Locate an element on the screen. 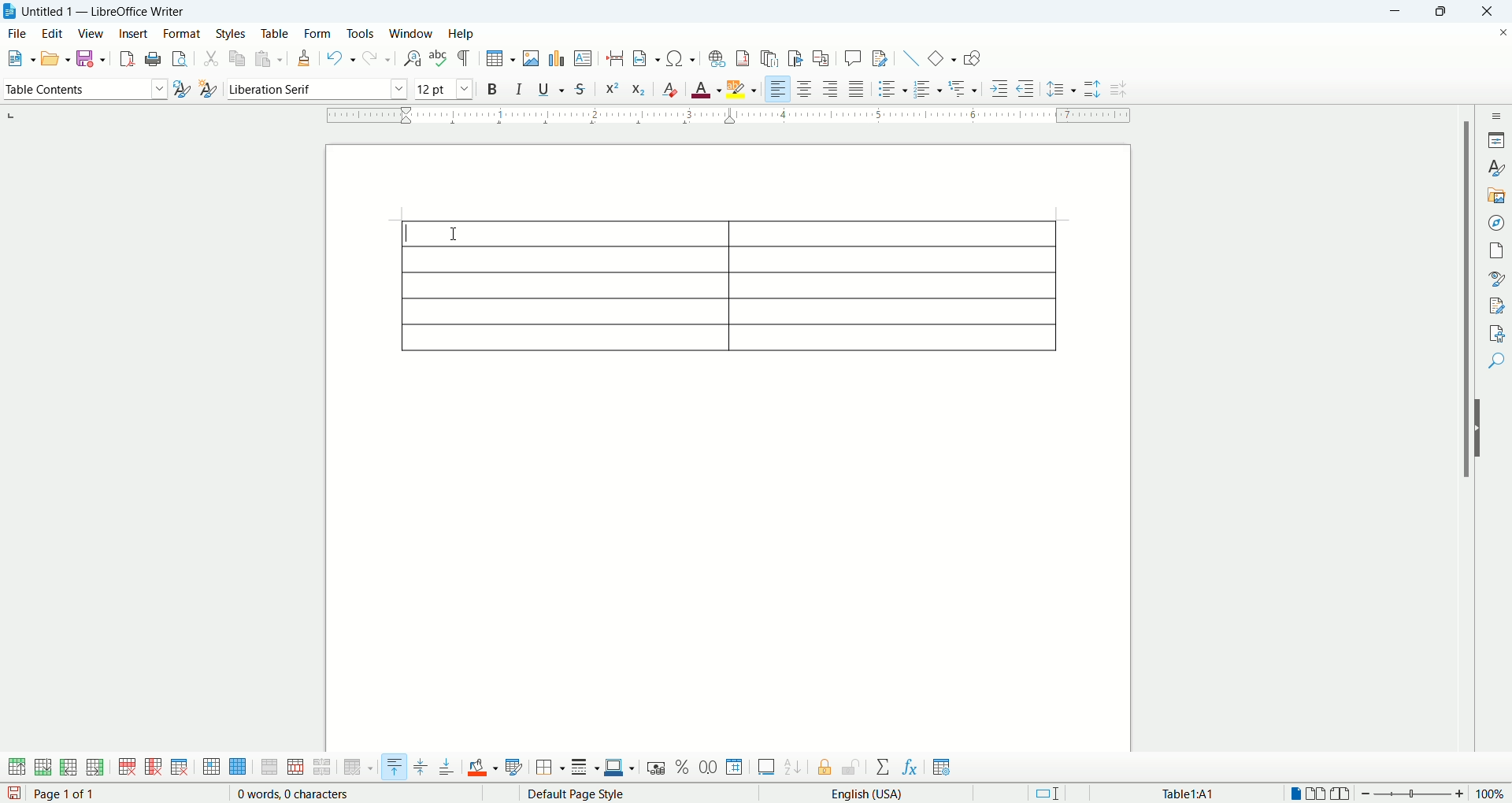 The width and height of the screenshot is (1512, 803). insert image is located at coordinates (532, 58).